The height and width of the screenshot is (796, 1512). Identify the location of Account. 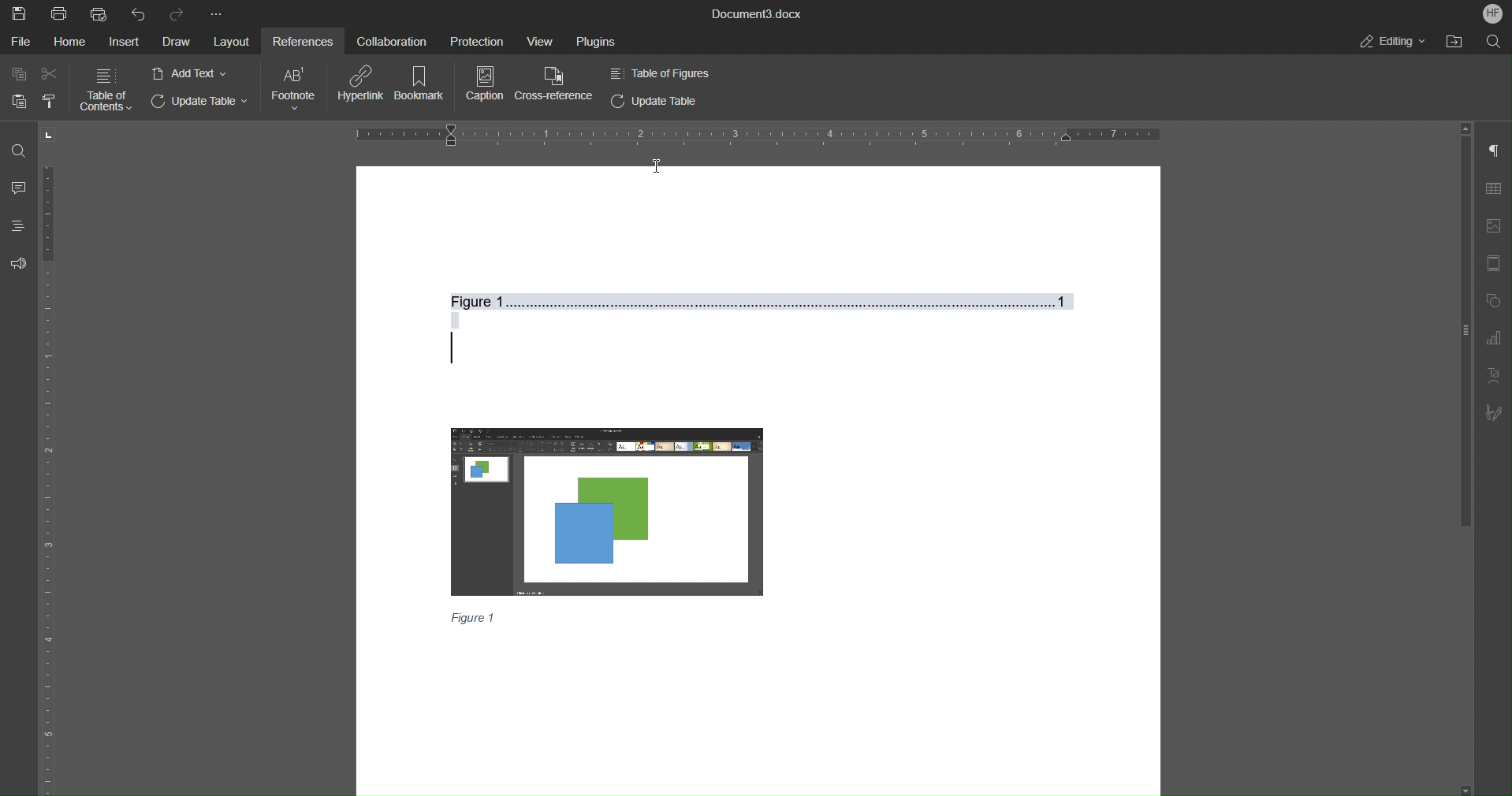
(1492, 13).